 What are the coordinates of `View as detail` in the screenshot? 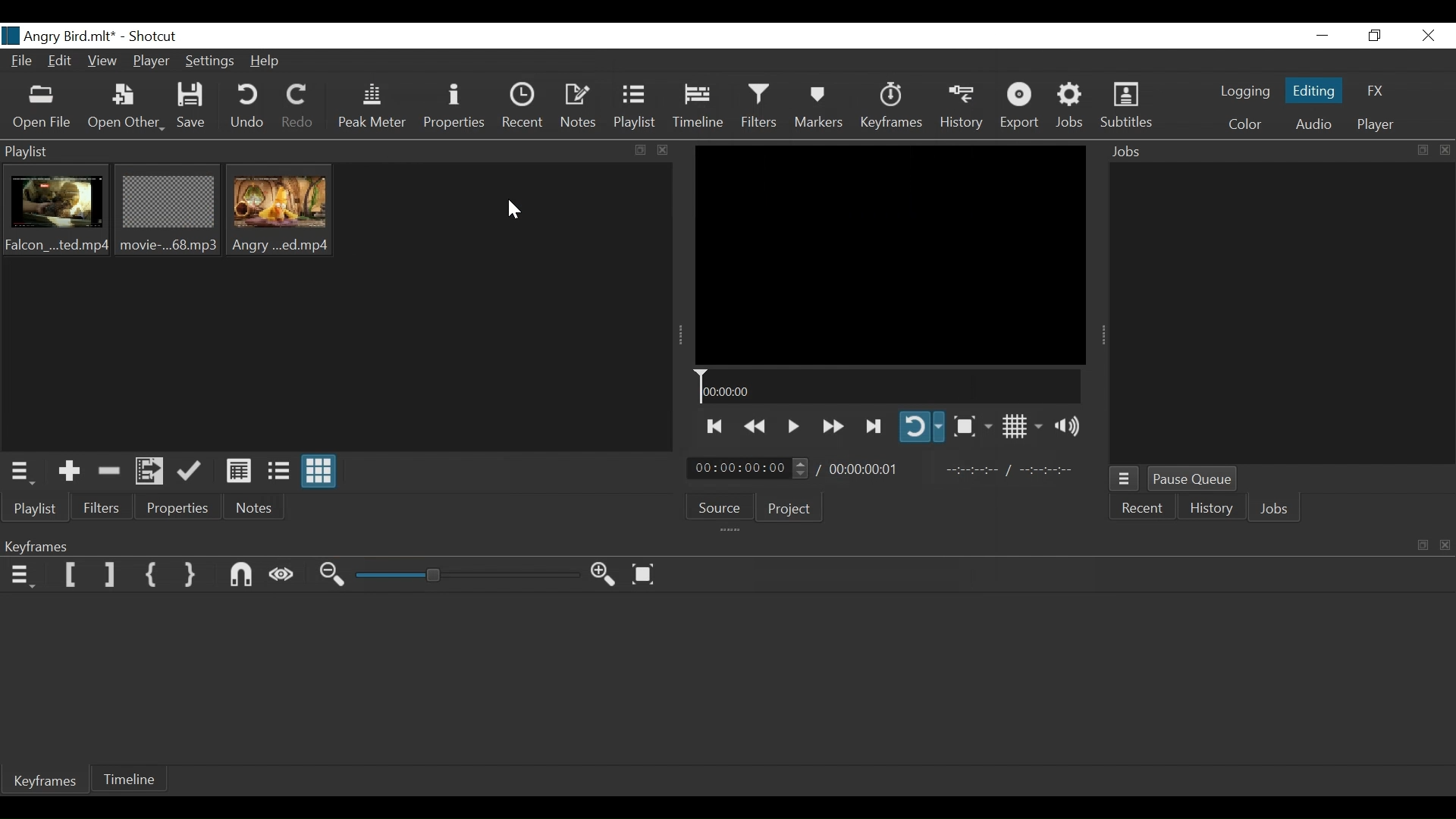 It's located at (236, 474).